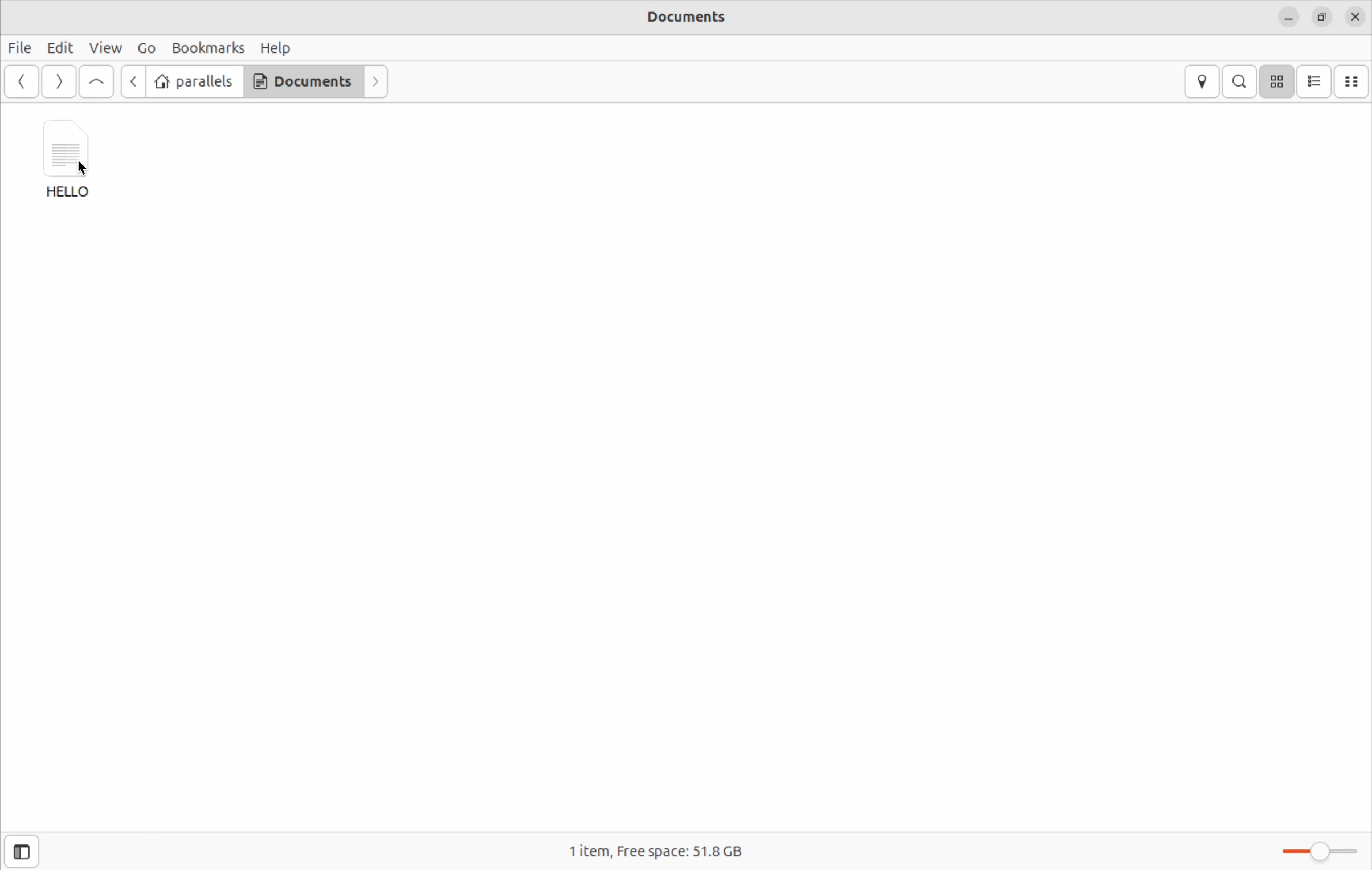  I want to click on forward, so click(133, 81).